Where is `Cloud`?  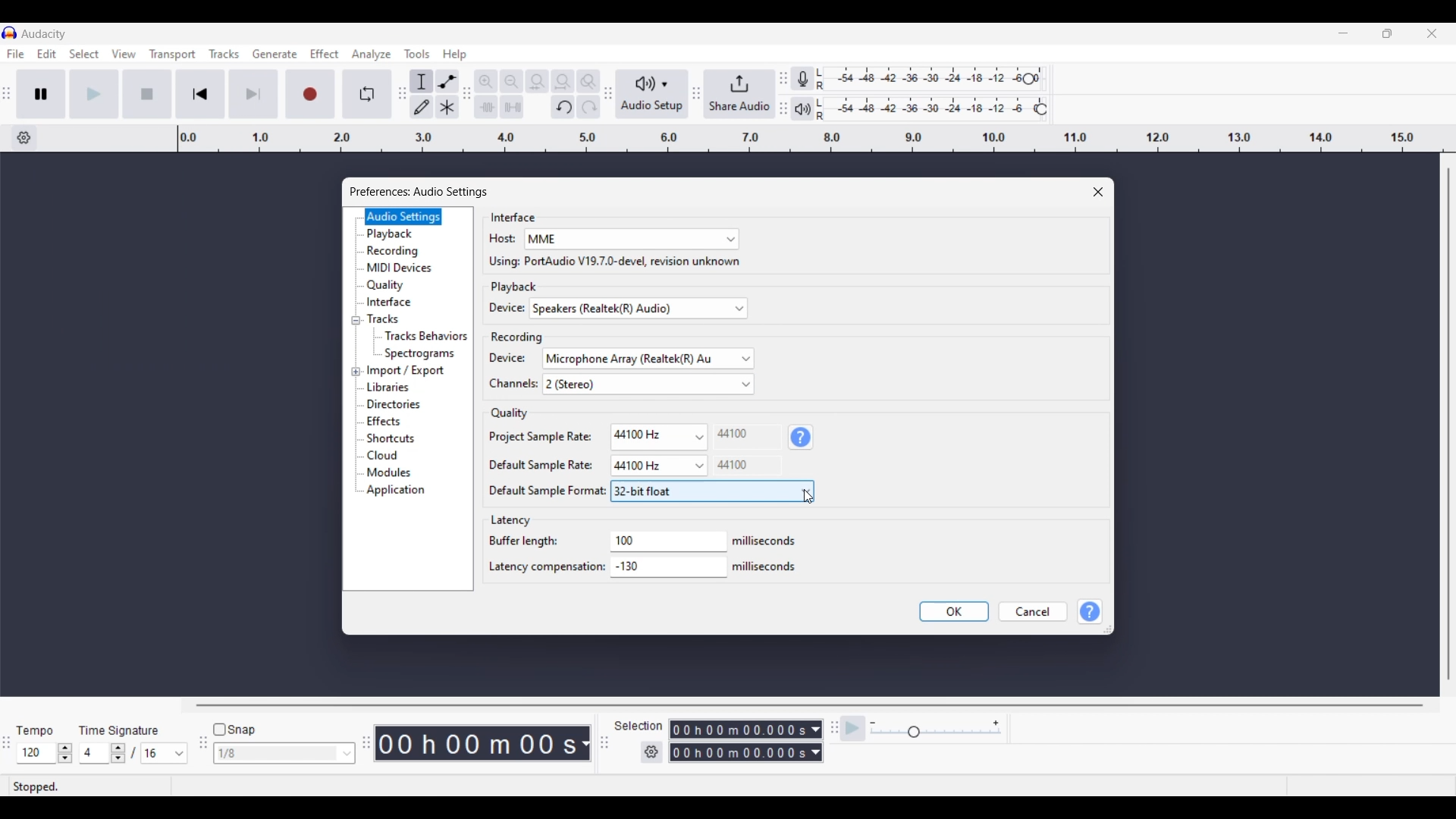
Cloud is located at coordinates (402, 456).